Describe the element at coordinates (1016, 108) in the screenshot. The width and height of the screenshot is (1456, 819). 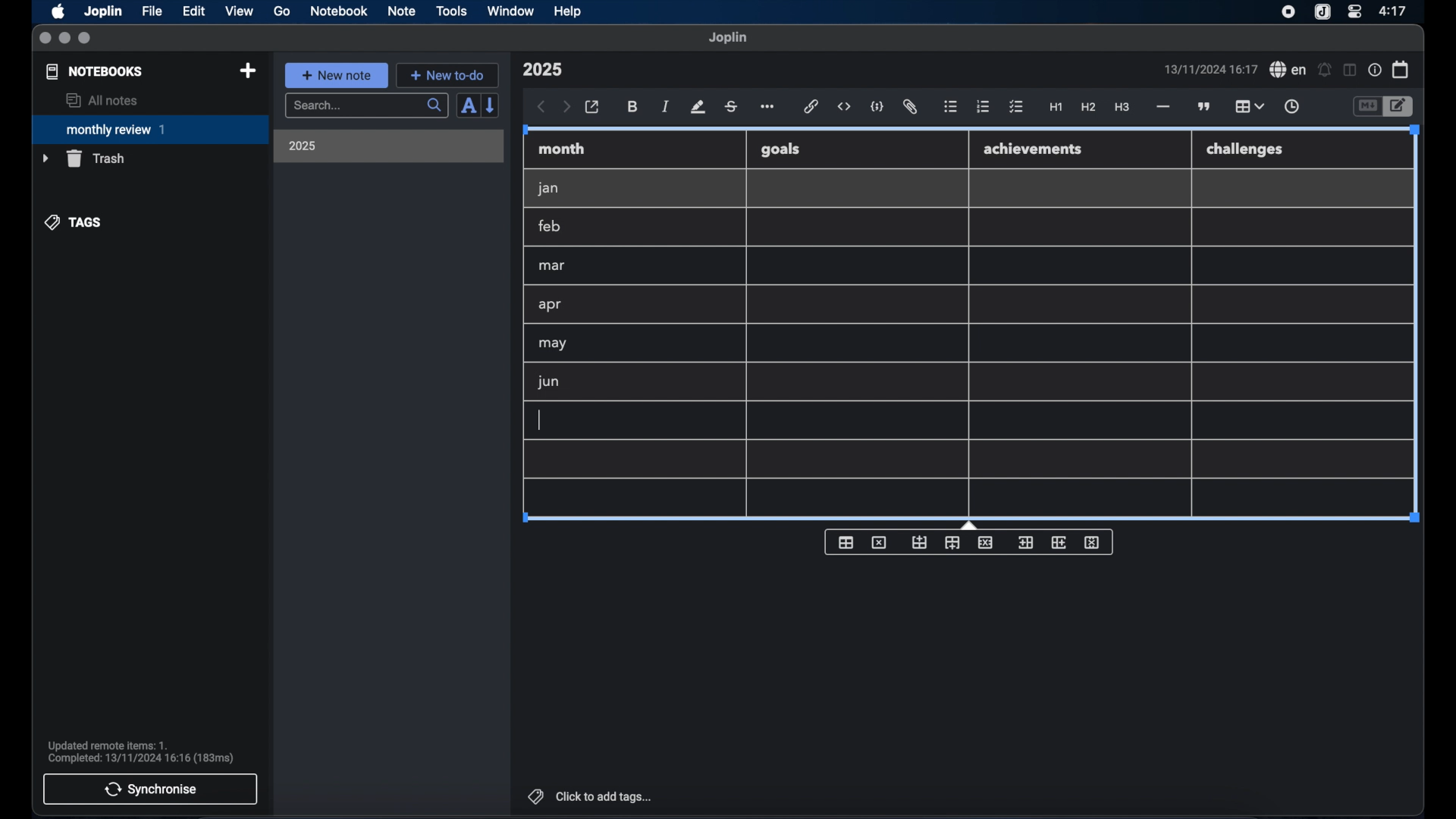
I see `check  list` at that location.